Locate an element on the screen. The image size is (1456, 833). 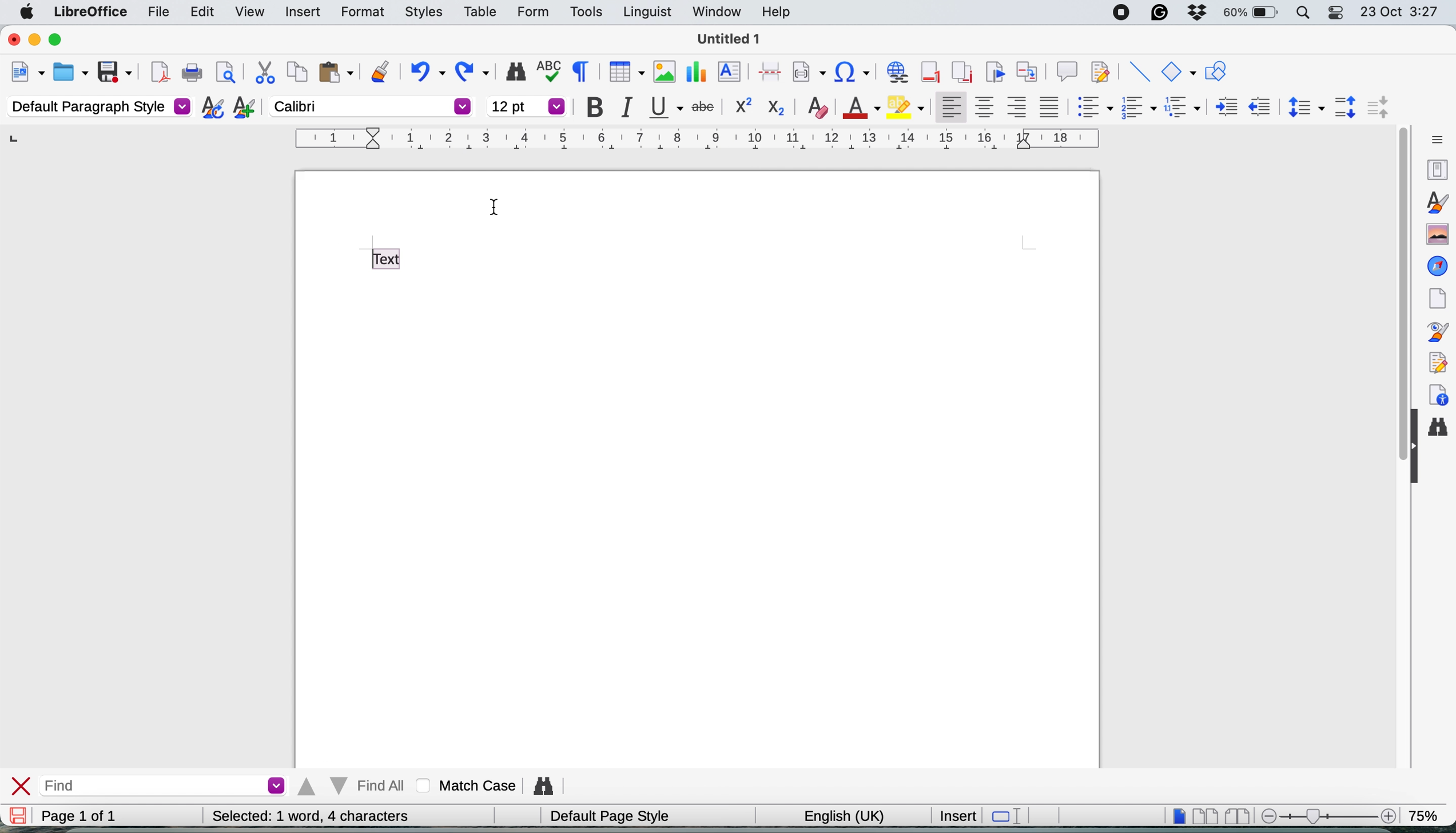
undo is located at coordinates (424, 70).